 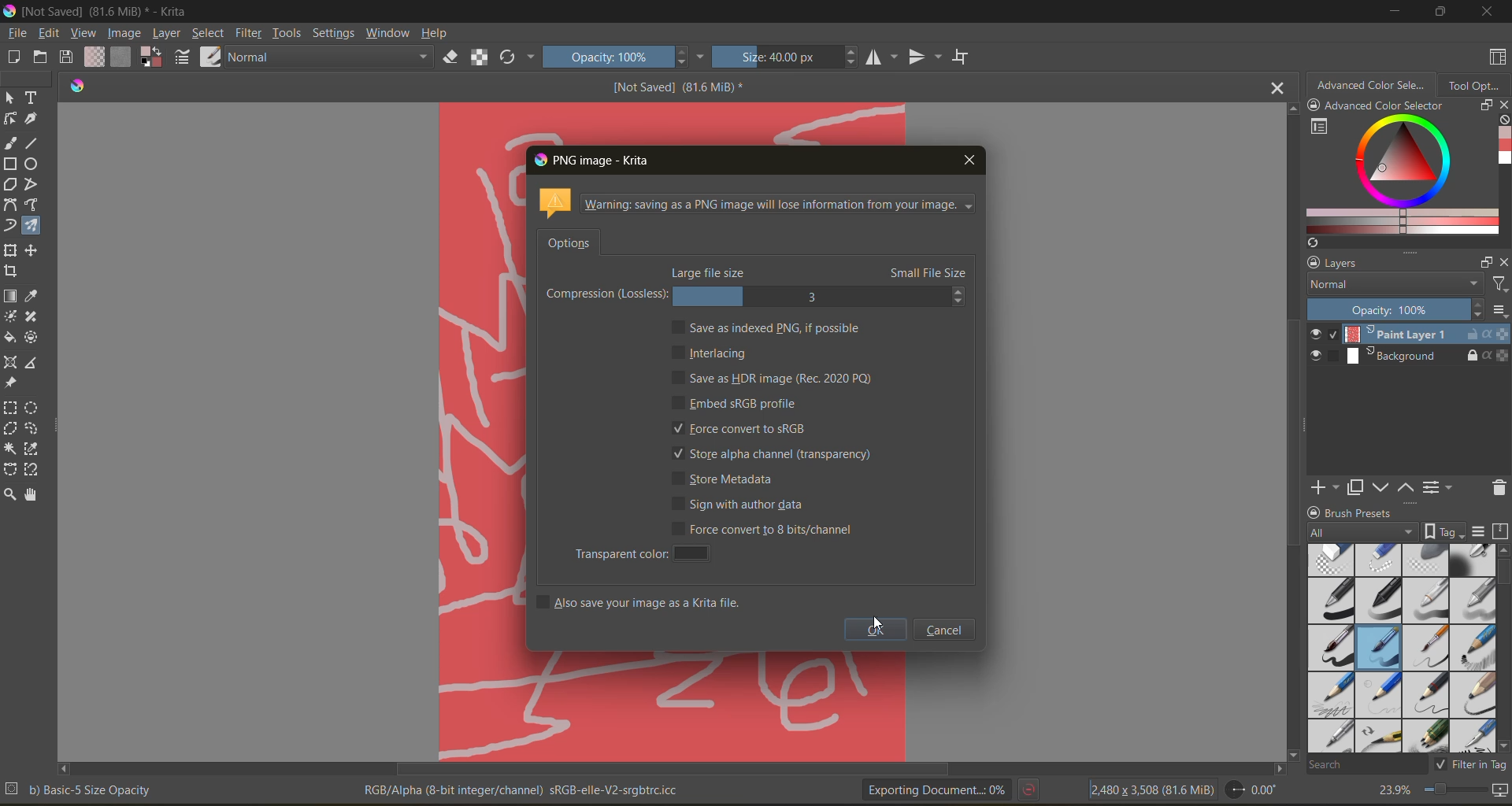 What do you see at coordinates (671, 769) in the screenshot?
I see `horizontal scroll bar` at bounding box center [671, 769].